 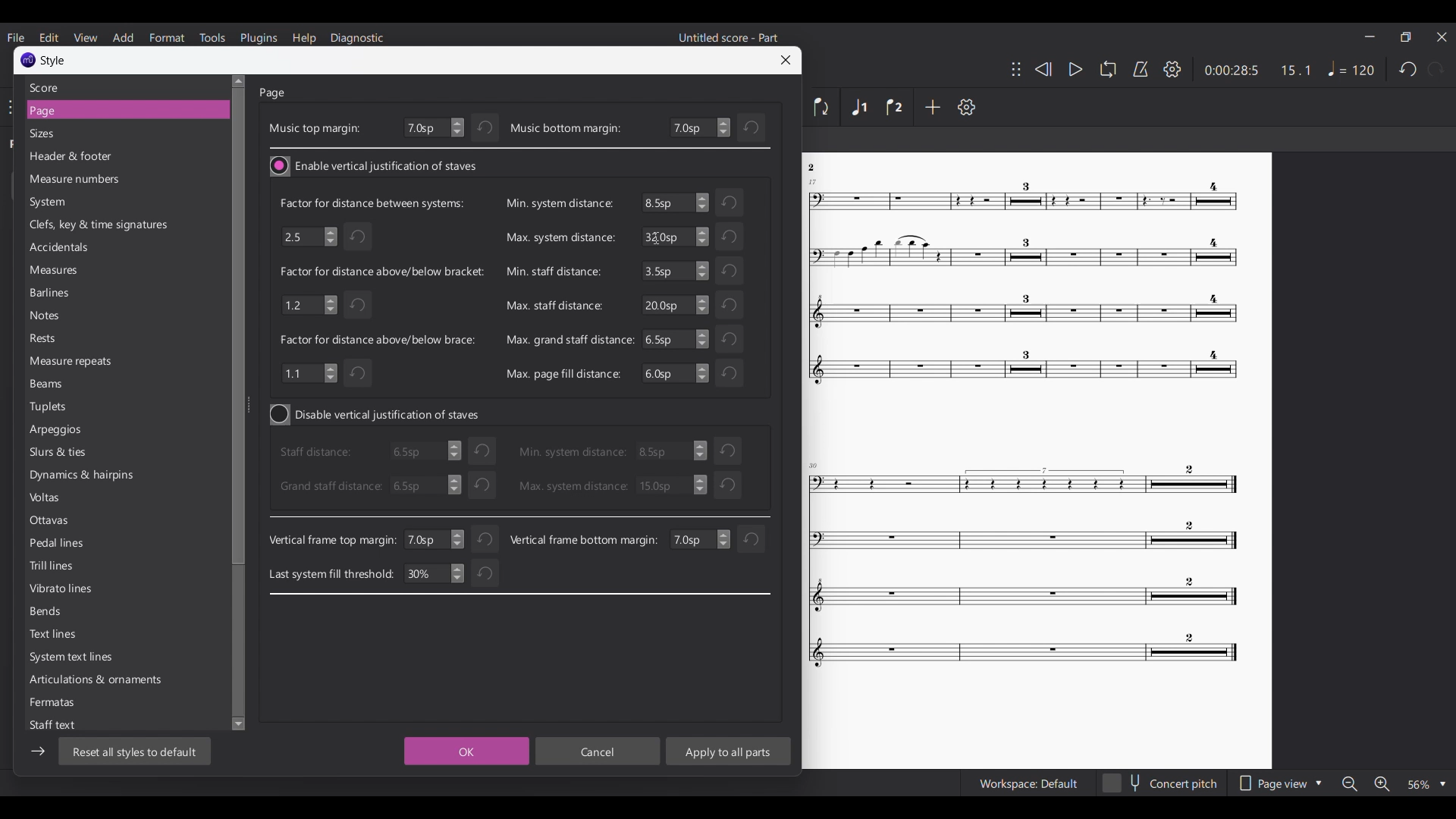 I want to click on Smaller tab, so click(x=1405, y=37).